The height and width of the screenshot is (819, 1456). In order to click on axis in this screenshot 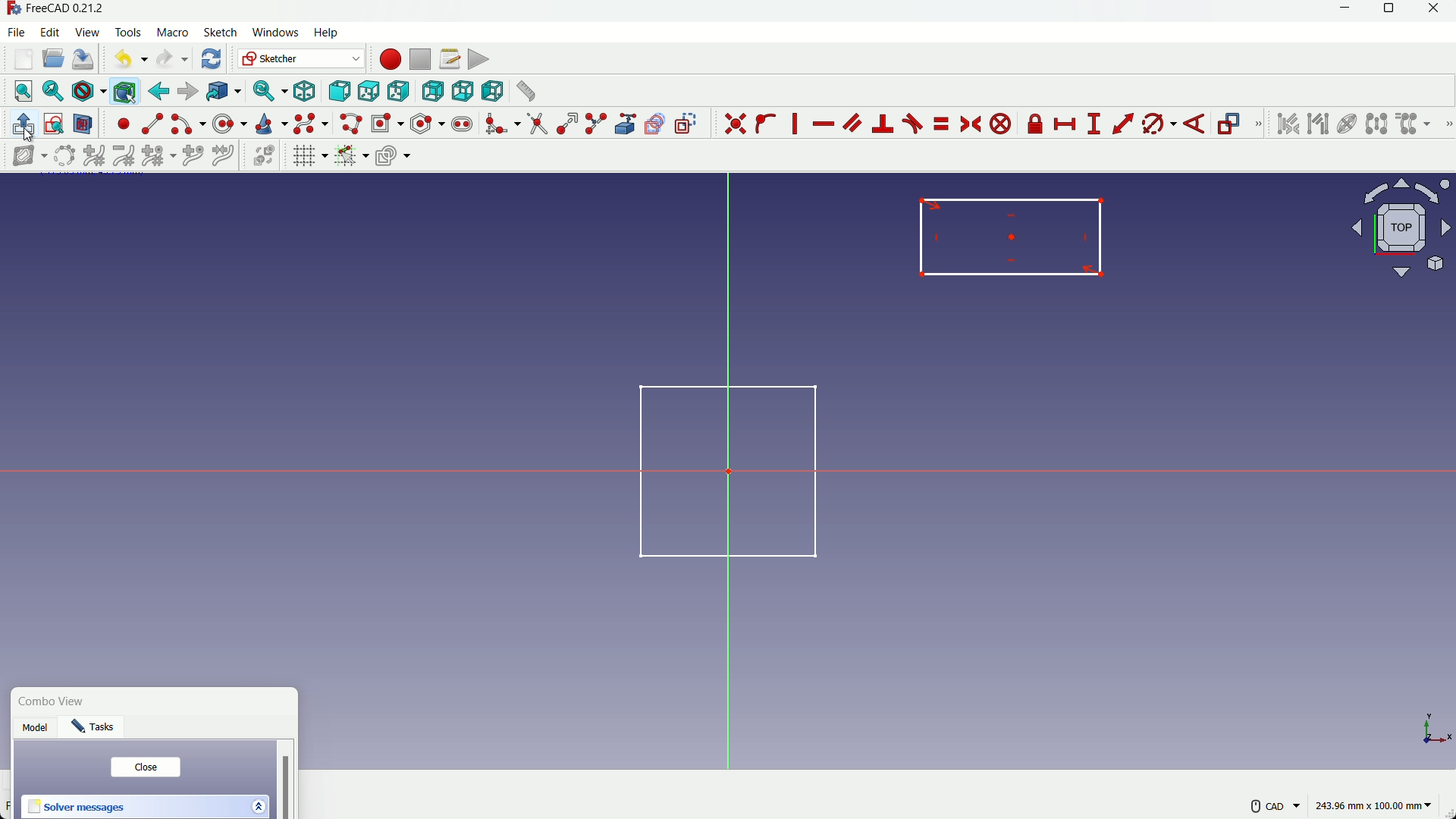, I will do `click(1435, 726)`.